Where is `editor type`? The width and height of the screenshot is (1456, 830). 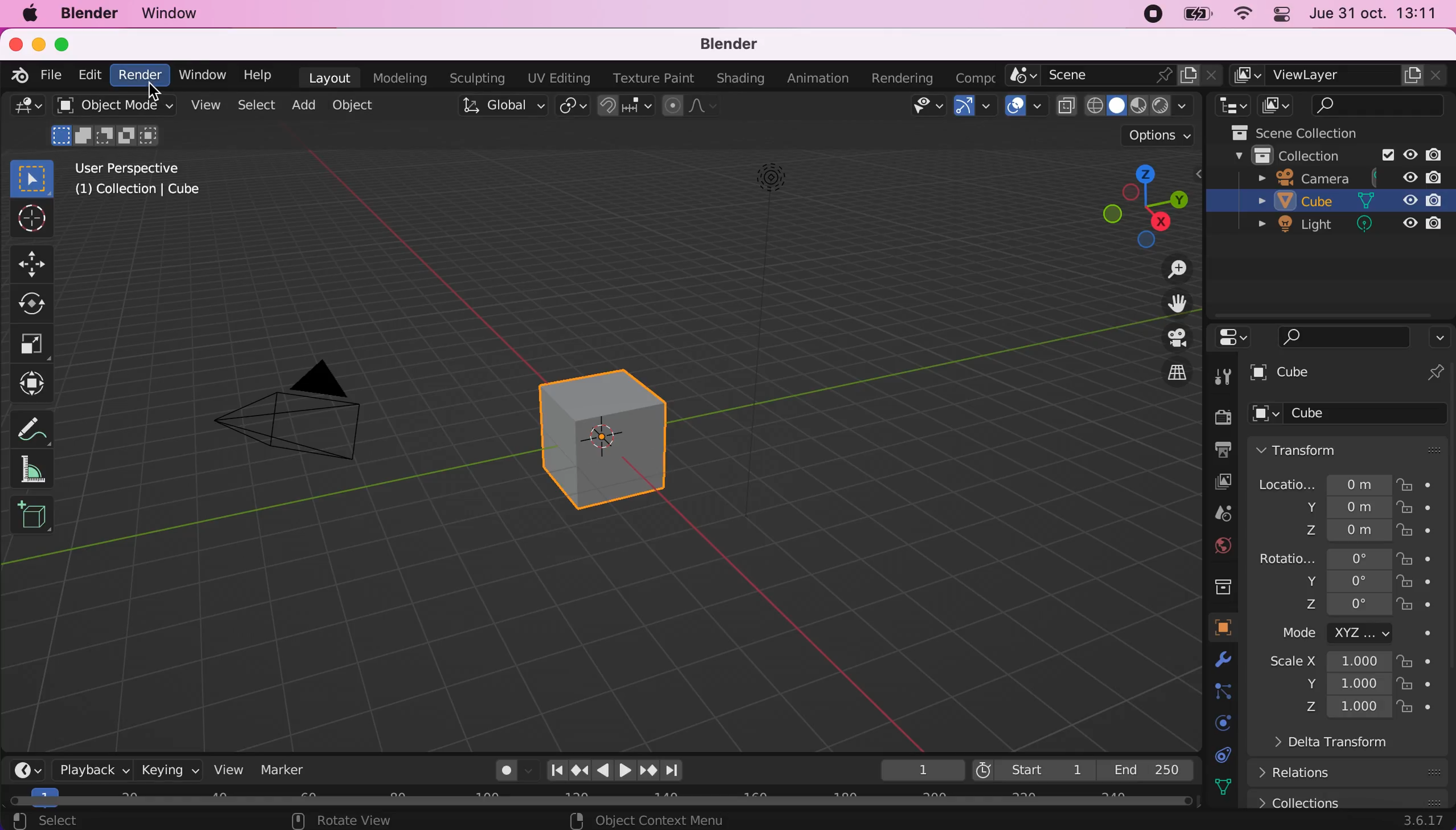 editor type is located at coordinates (1229, 338).